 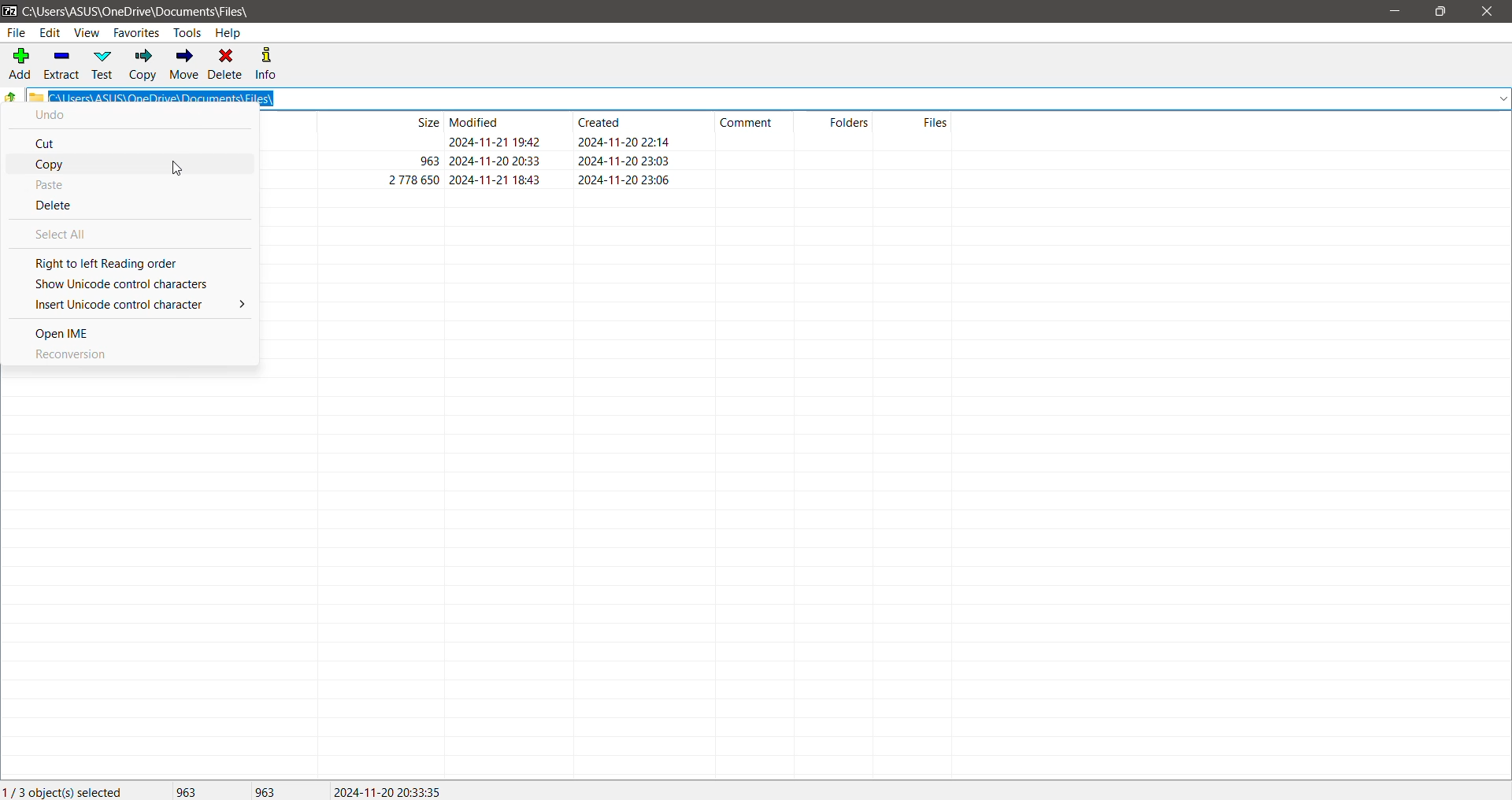 I want to click on Cut, so click(x=48, y=145).